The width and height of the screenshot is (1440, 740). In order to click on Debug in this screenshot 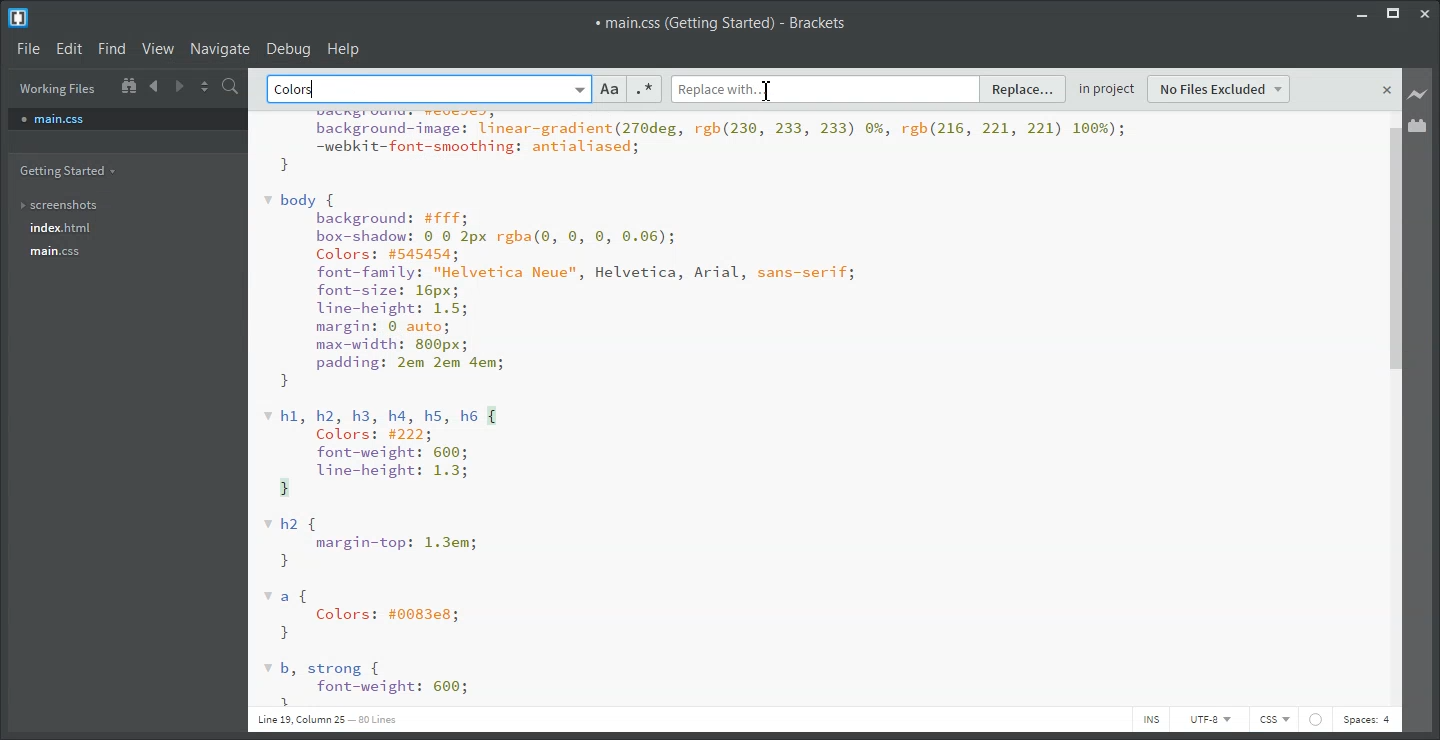, I will do `click(289, 48)`.